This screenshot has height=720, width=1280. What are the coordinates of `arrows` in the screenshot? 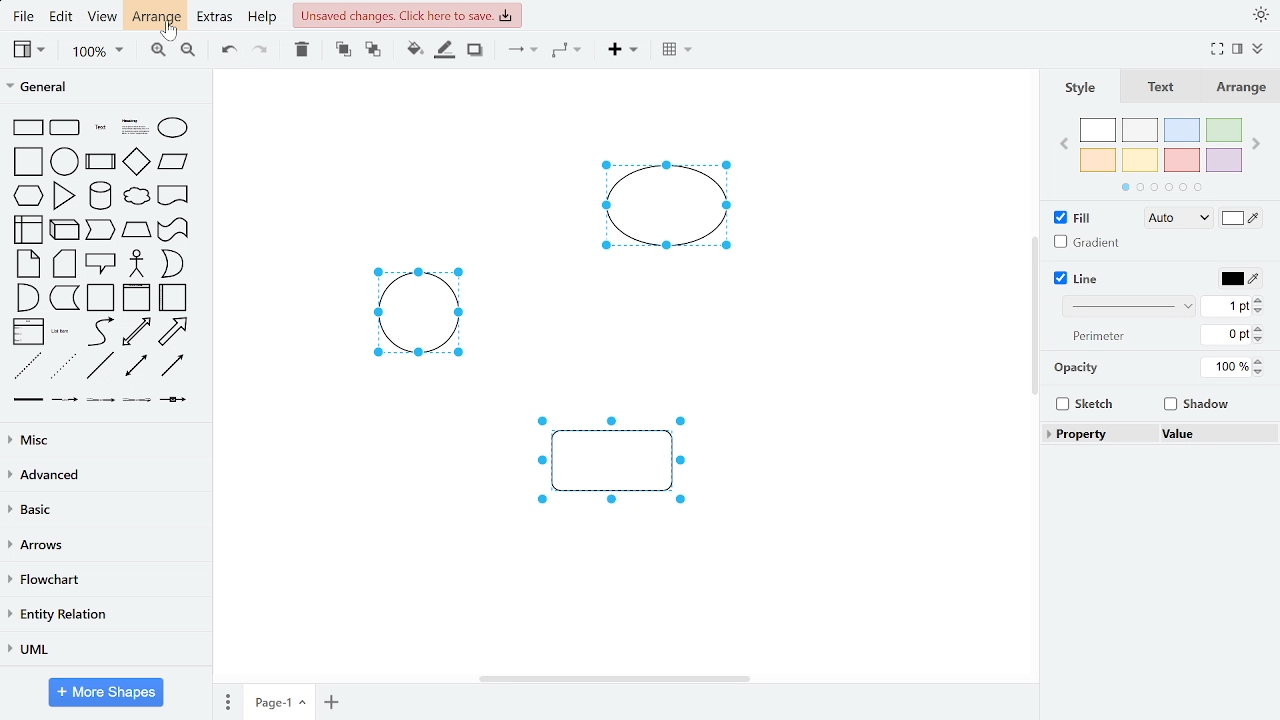 It's located at (103, 546).